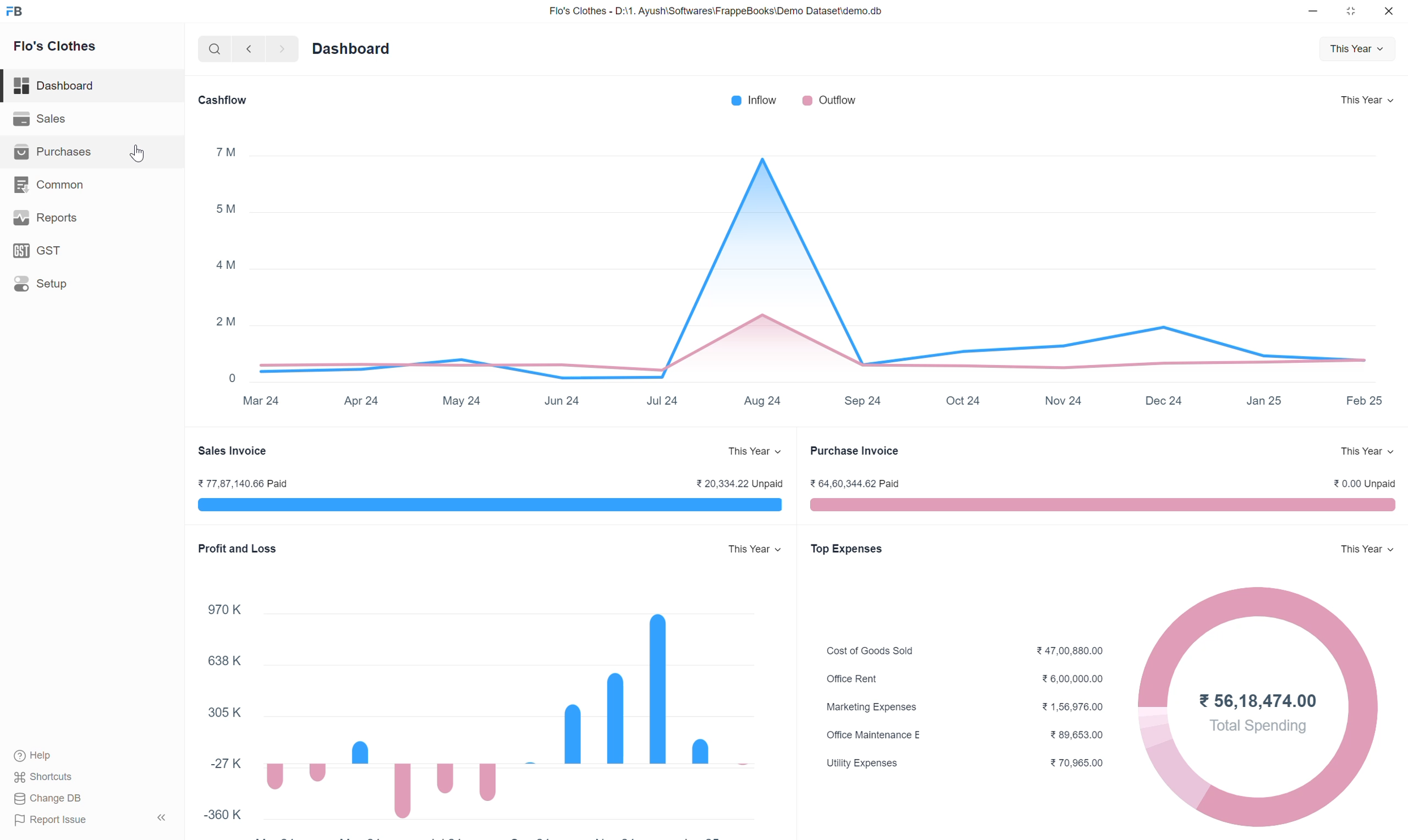 This screenshot has width=1408, height=840. What do you see at coordinates (50, 218) in the screenshot?
I see `Reports` at bounding box center [50, 218].